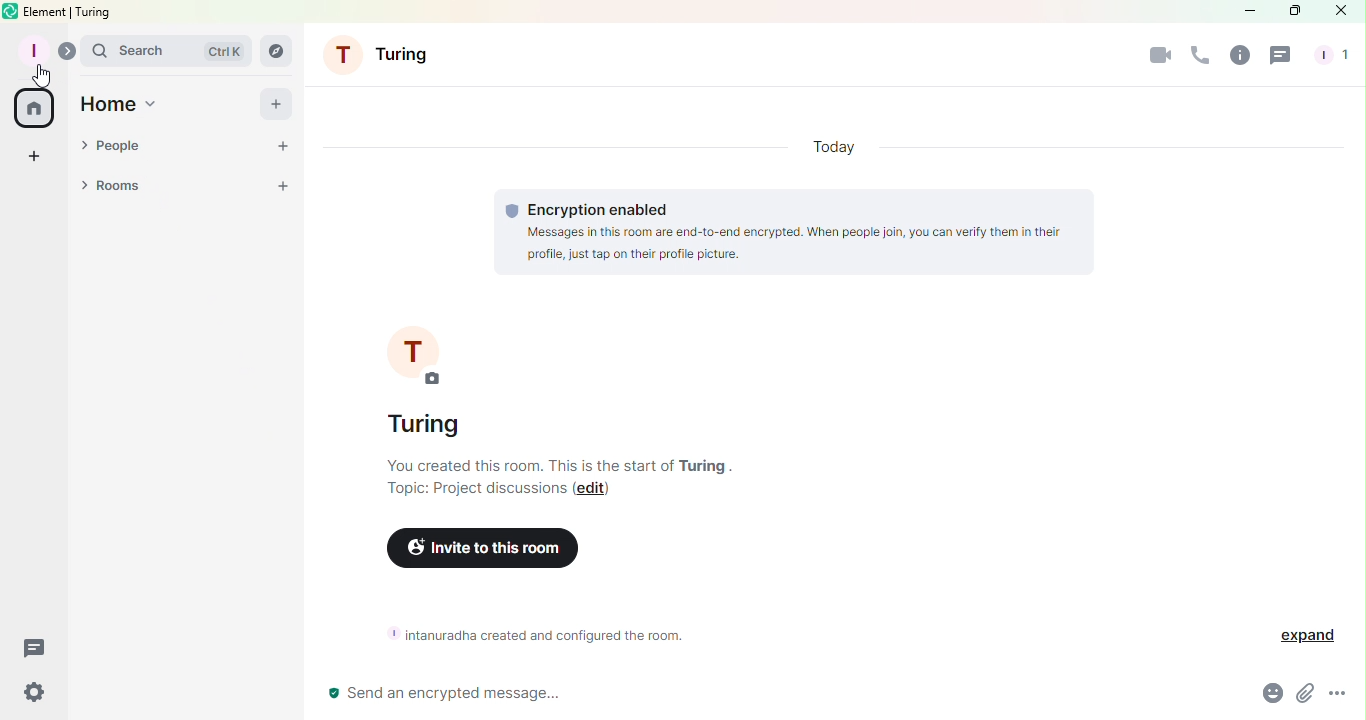 This screenshot has height=720, width=1366. What do you see at coordinates (109, 147) in the screenshot?
I see `People` at bounding box center [109, 147].